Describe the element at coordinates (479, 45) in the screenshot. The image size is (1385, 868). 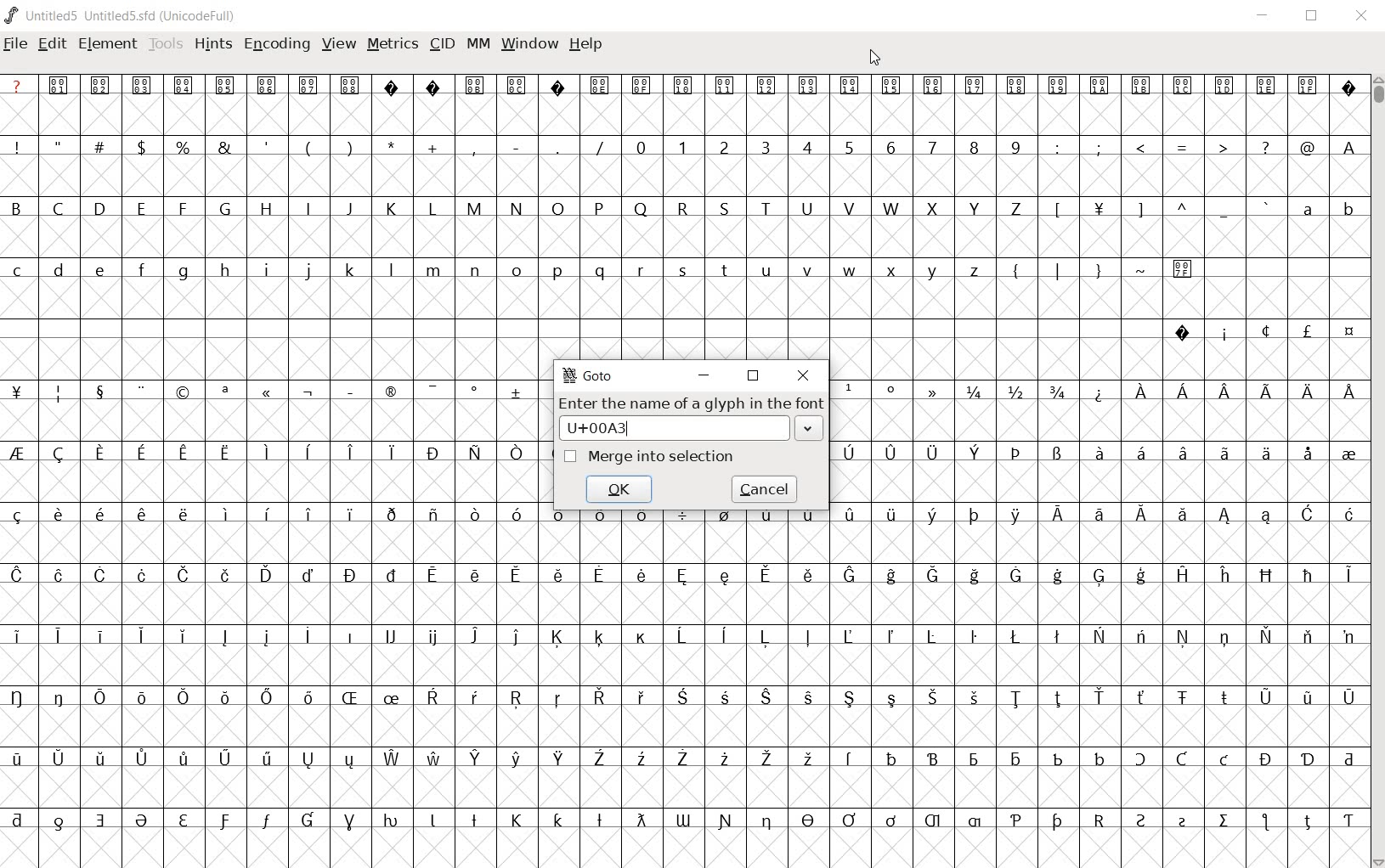
I see `MM` at that location.